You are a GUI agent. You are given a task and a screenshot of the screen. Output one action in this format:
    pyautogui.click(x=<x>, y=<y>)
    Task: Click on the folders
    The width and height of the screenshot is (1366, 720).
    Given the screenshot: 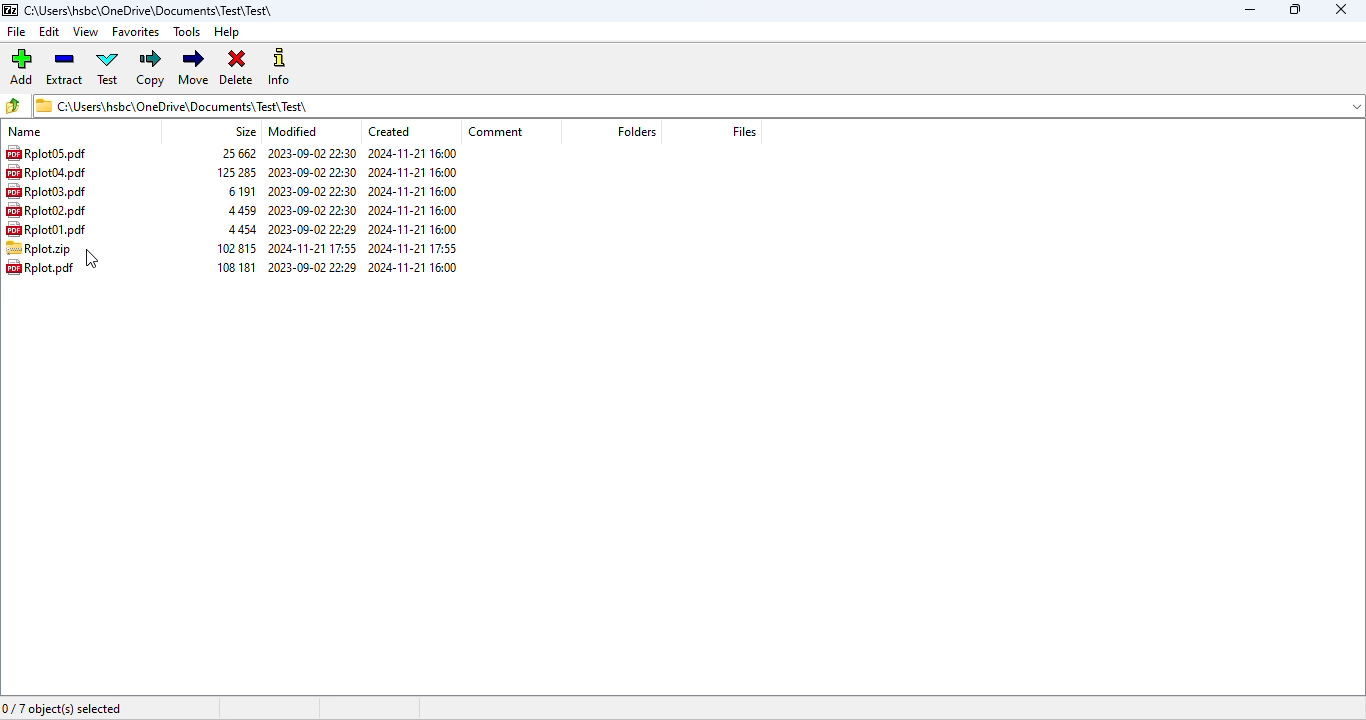 What is the action you would take?
    pyautogui.click(x=637, y=131)
    